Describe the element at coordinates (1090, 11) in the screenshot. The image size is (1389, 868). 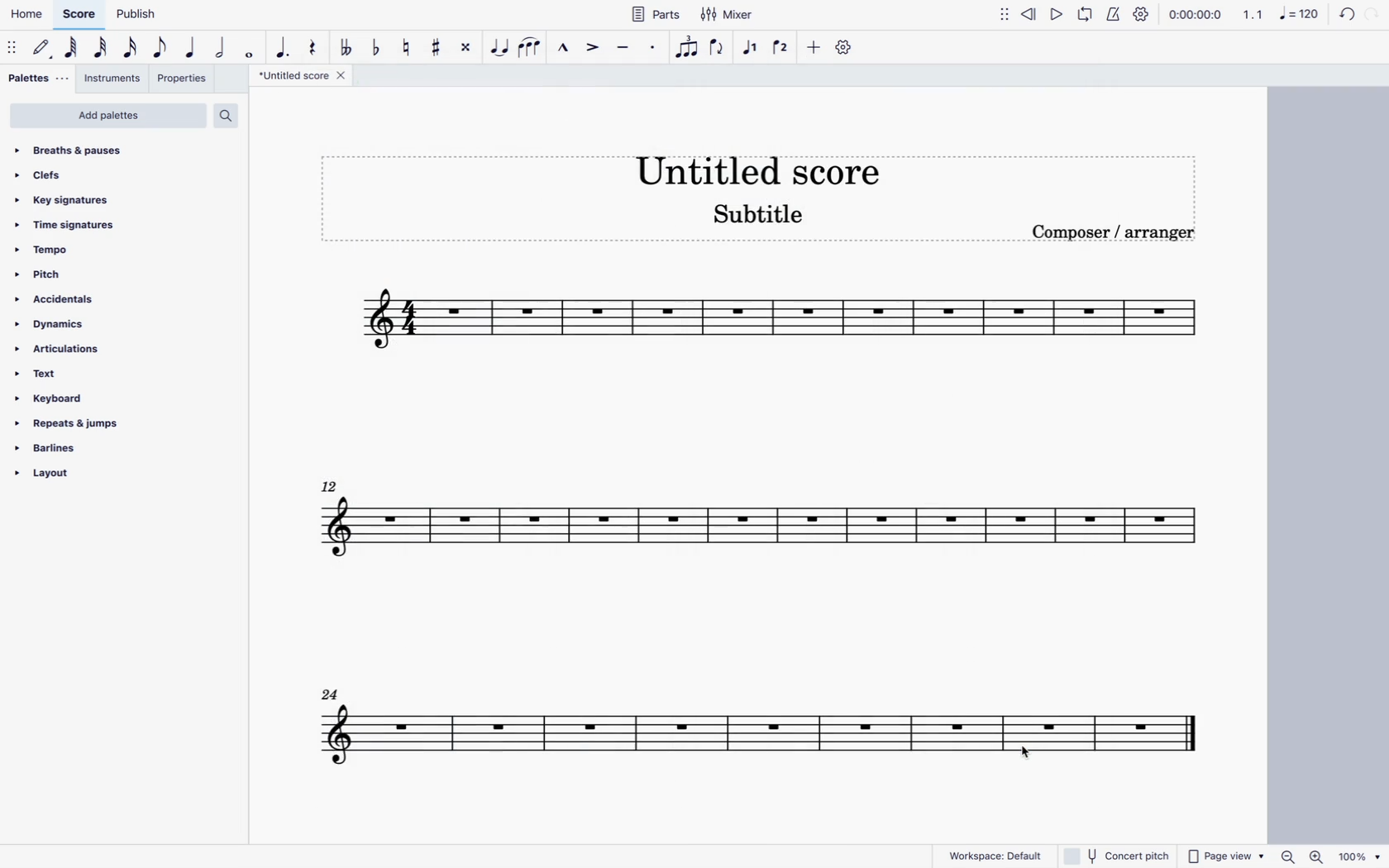
I see `play` at that location.